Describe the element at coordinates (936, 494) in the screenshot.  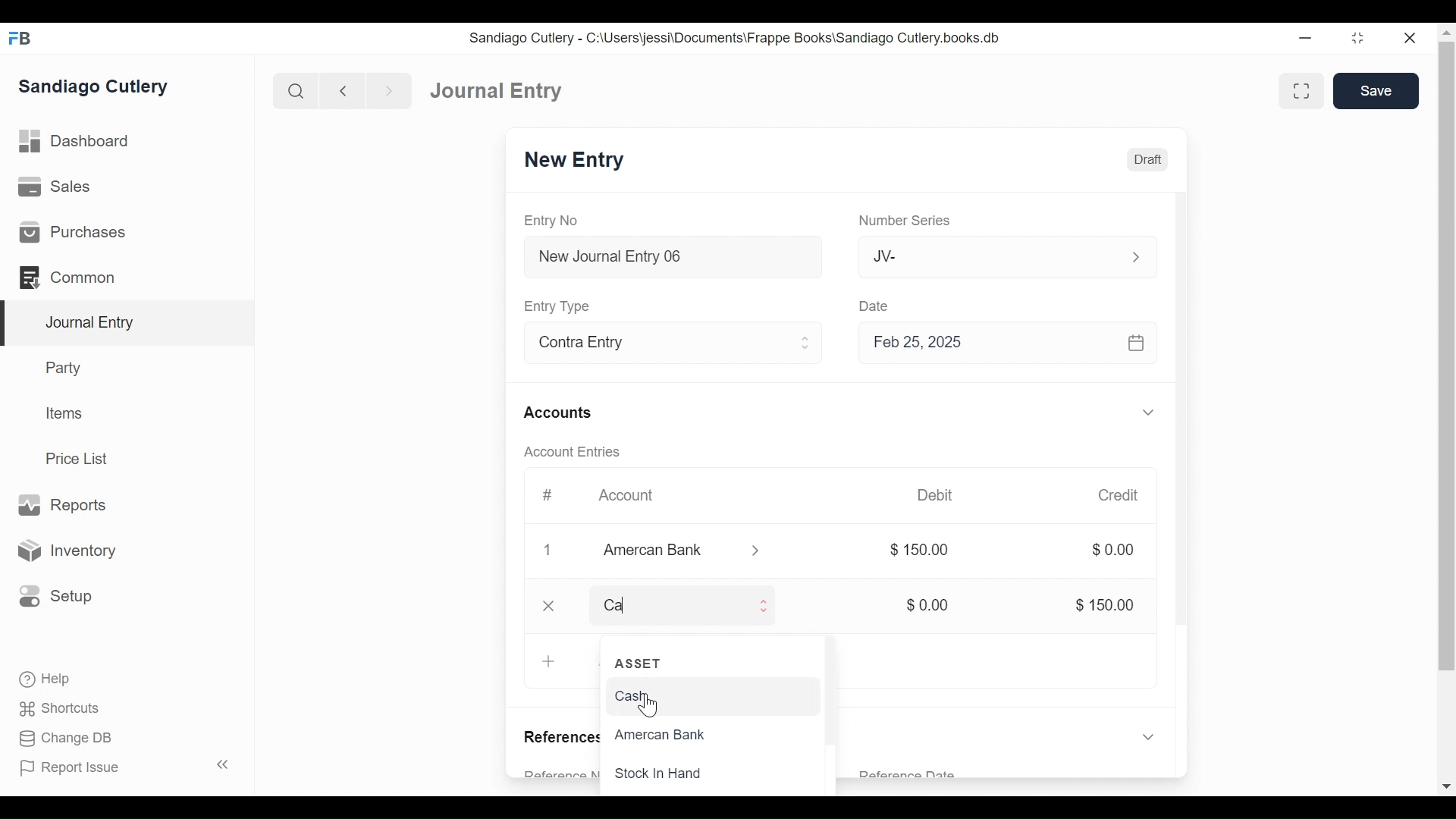
I see `Debit` at that location.